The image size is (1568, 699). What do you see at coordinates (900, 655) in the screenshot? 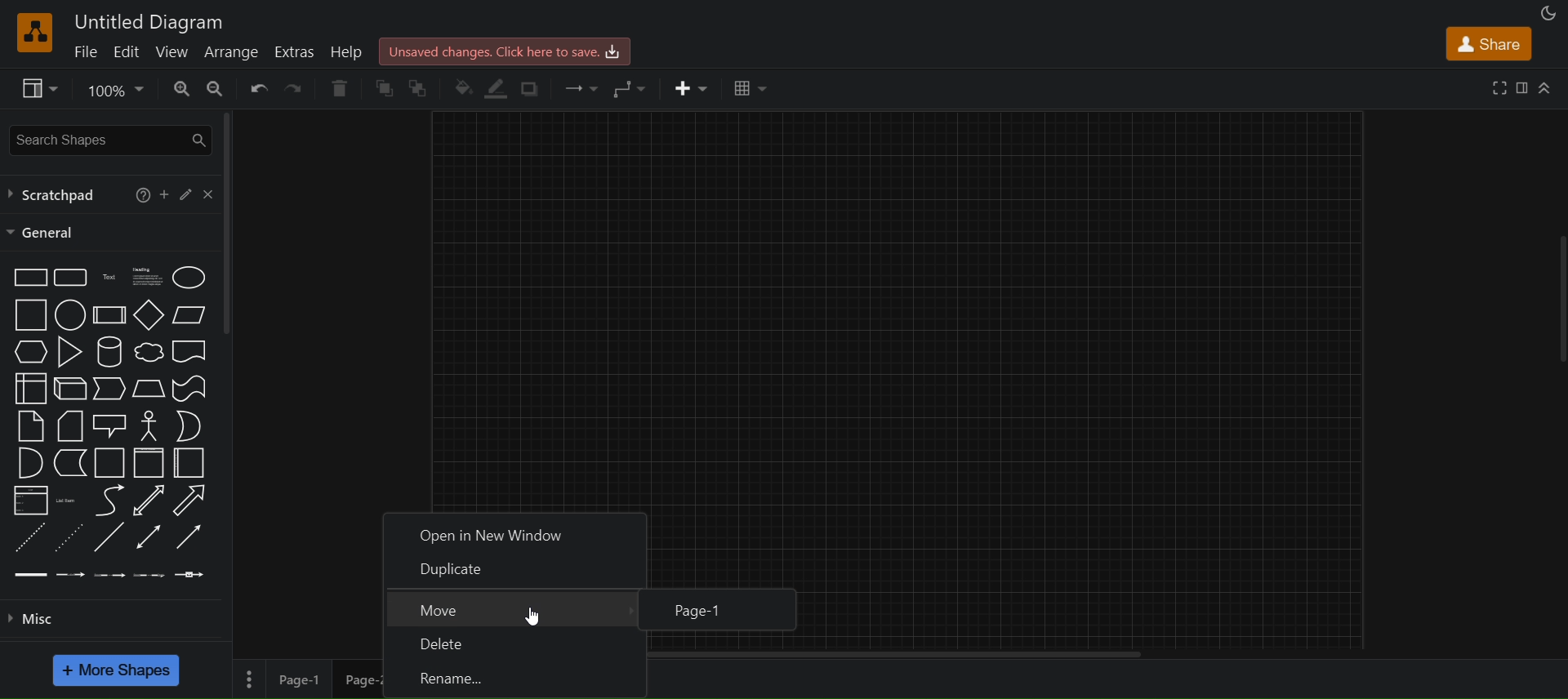
I see `horizontal scroll bar` at bounding box center [900, 655].